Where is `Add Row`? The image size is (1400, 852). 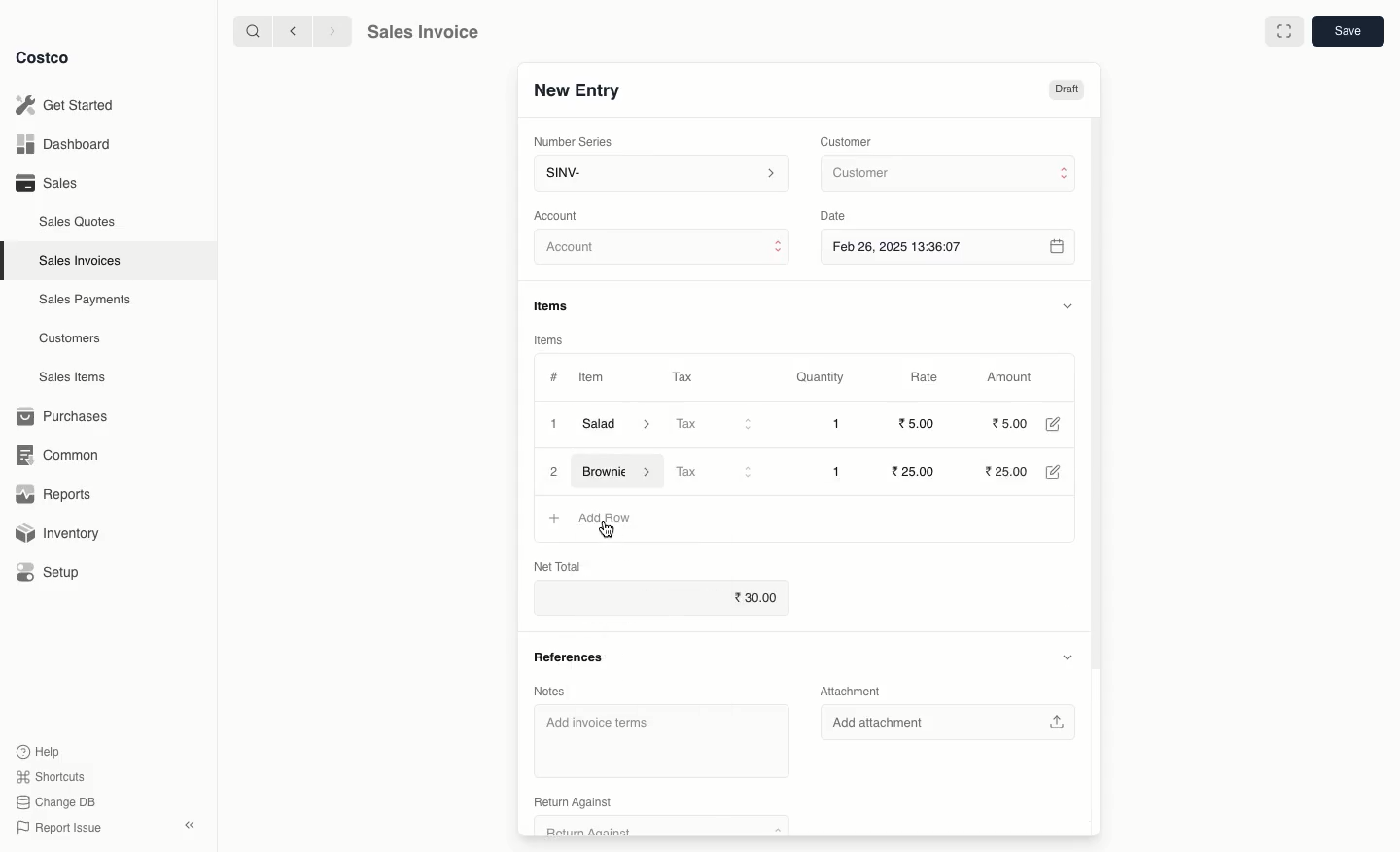 Add Row is located at coordinates (604, 518).